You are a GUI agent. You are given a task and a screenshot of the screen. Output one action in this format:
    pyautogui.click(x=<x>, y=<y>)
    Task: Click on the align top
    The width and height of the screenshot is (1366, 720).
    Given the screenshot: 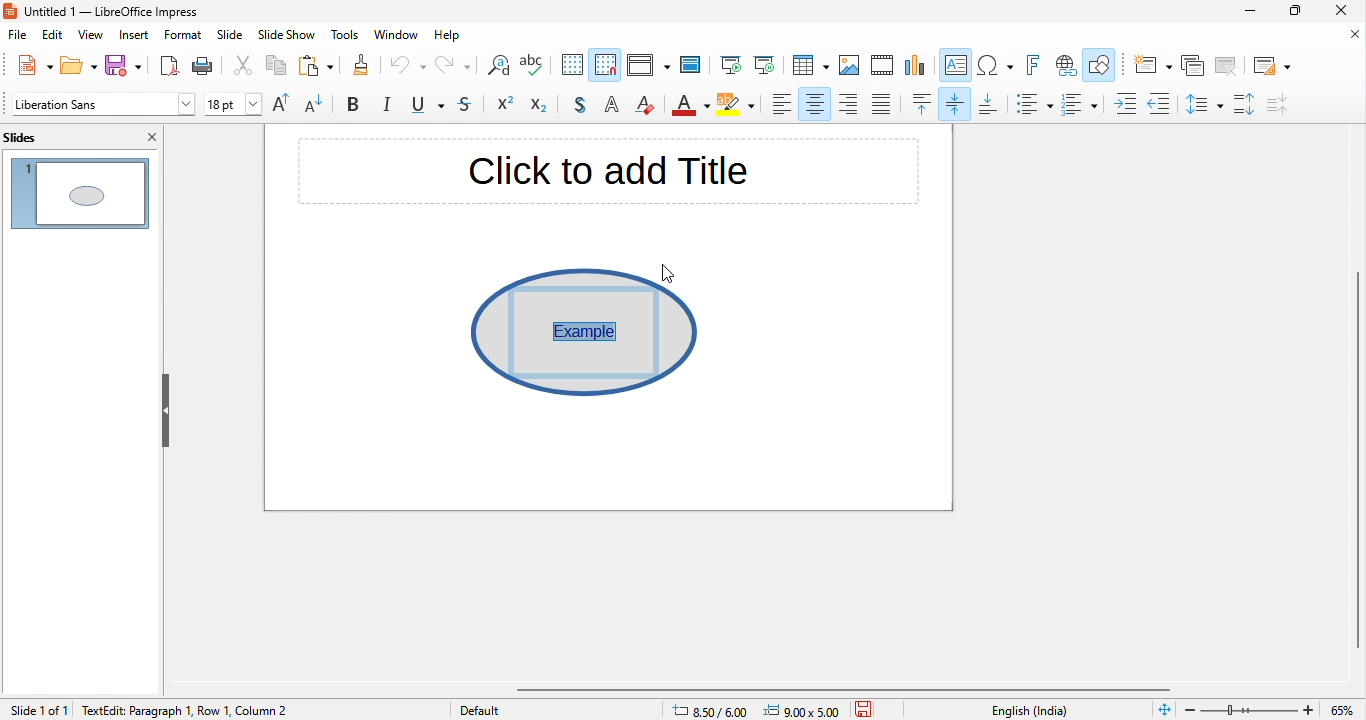 What is the action you would take?
    pyautogui.click(x=923, y=104)
    